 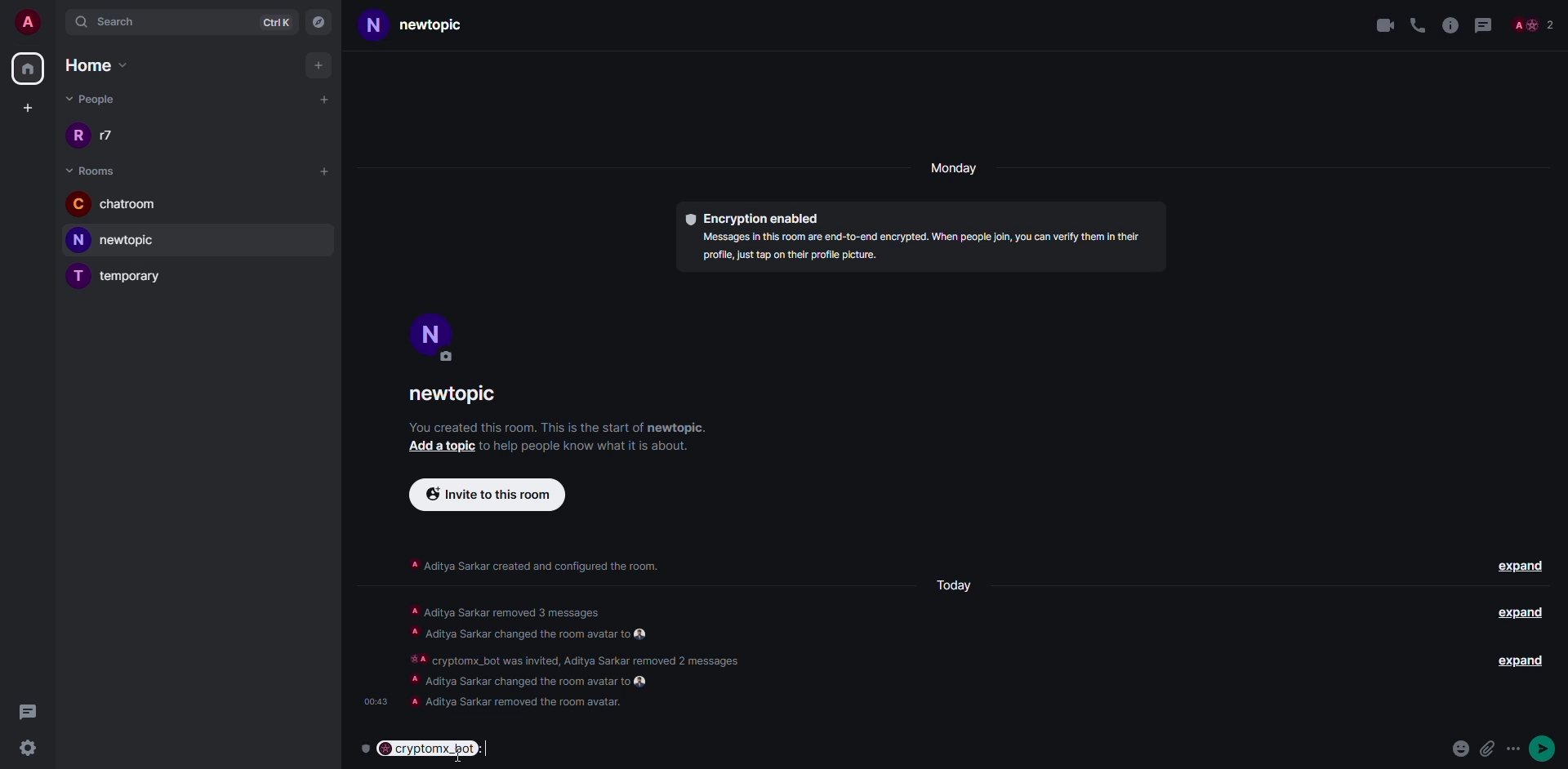 What do you see at coordinates (116, 206) in the screenshot?
I see `chatroom` at bounding box center [116, 206].